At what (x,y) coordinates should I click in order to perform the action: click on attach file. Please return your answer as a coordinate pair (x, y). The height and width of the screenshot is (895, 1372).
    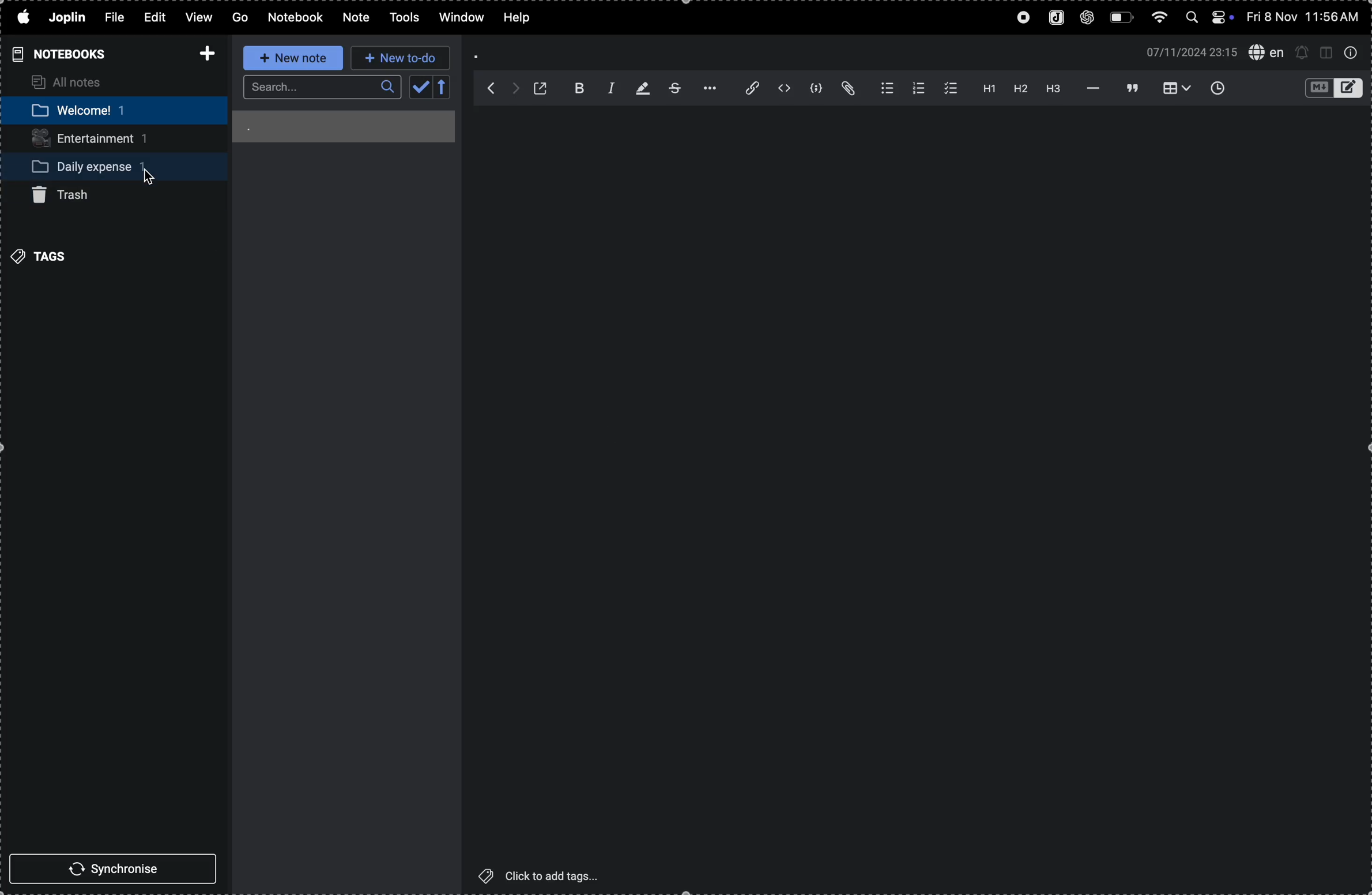
    Looking at the image, I should click on (745, 89).